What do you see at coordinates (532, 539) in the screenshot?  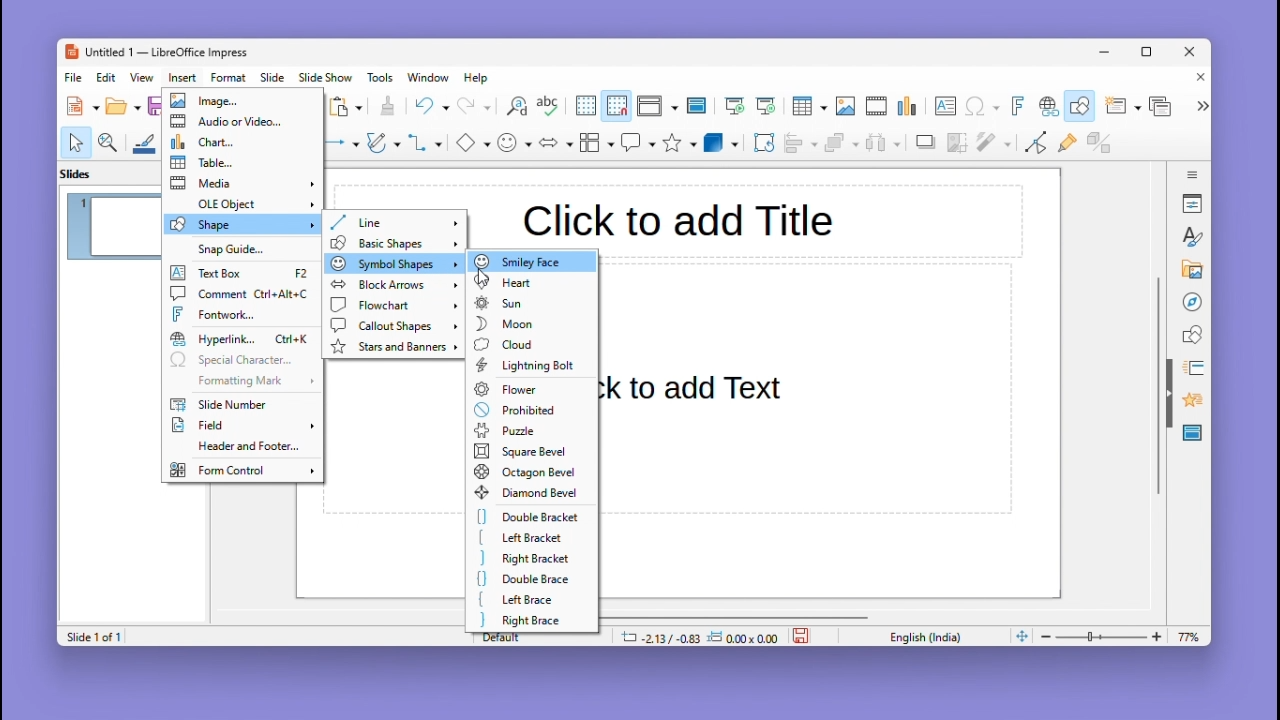 I see `Left bracket` at bounding box center [532, 539].